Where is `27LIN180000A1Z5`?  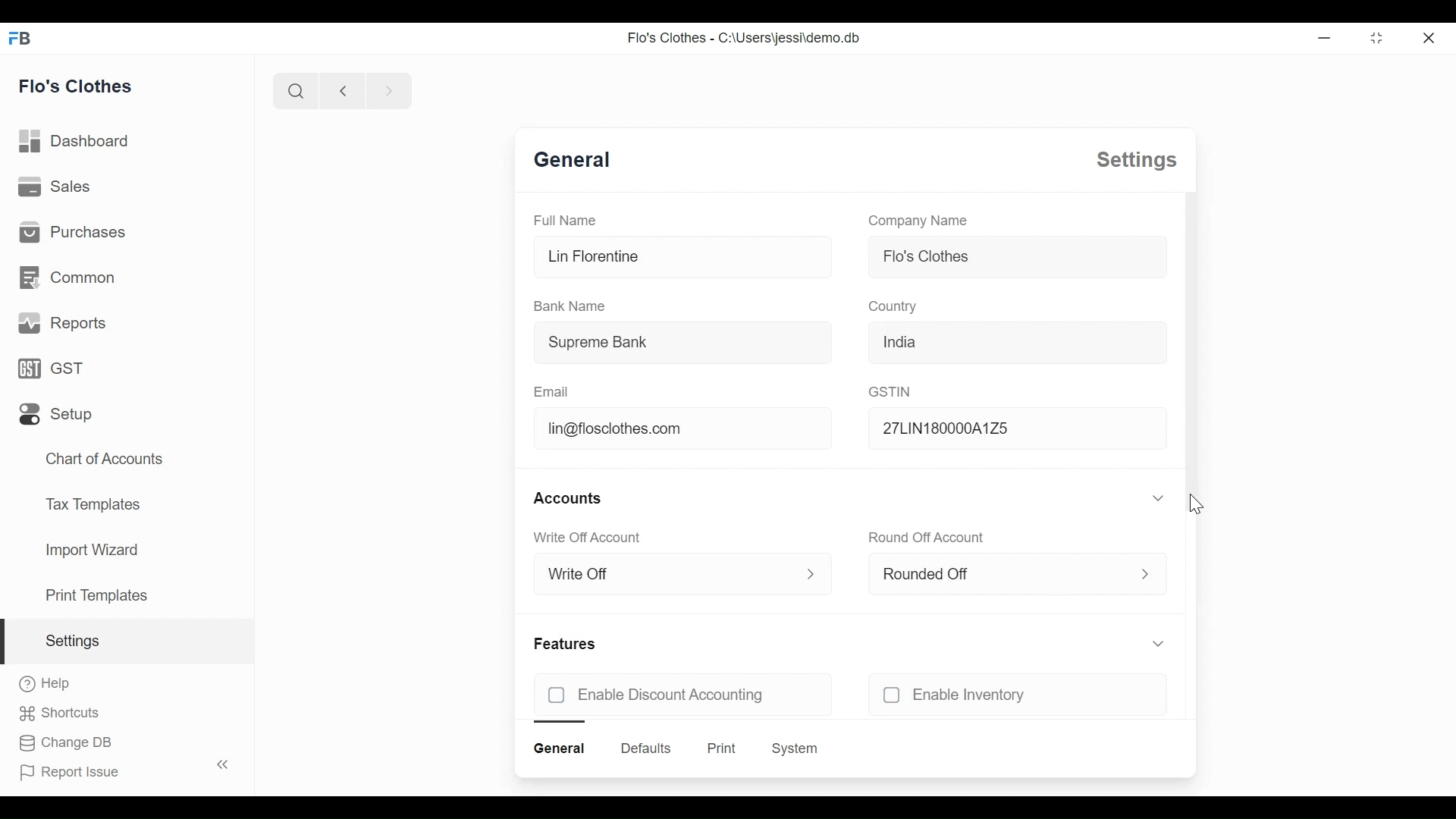
27LIN180000A1Z5 is located at coordinates (1013, 429).